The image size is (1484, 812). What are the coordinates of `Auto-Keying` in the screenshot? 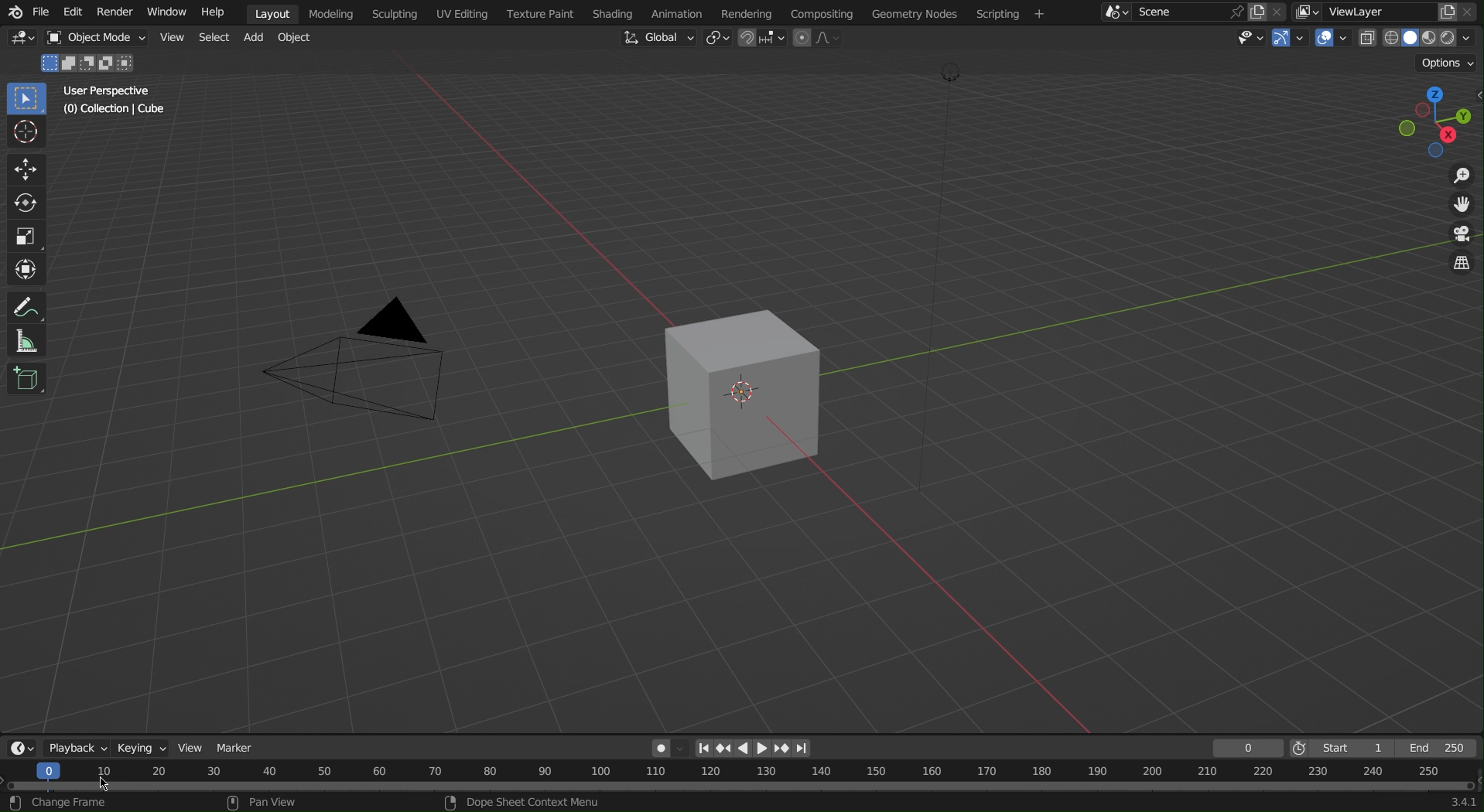 It's located at (664, 747).